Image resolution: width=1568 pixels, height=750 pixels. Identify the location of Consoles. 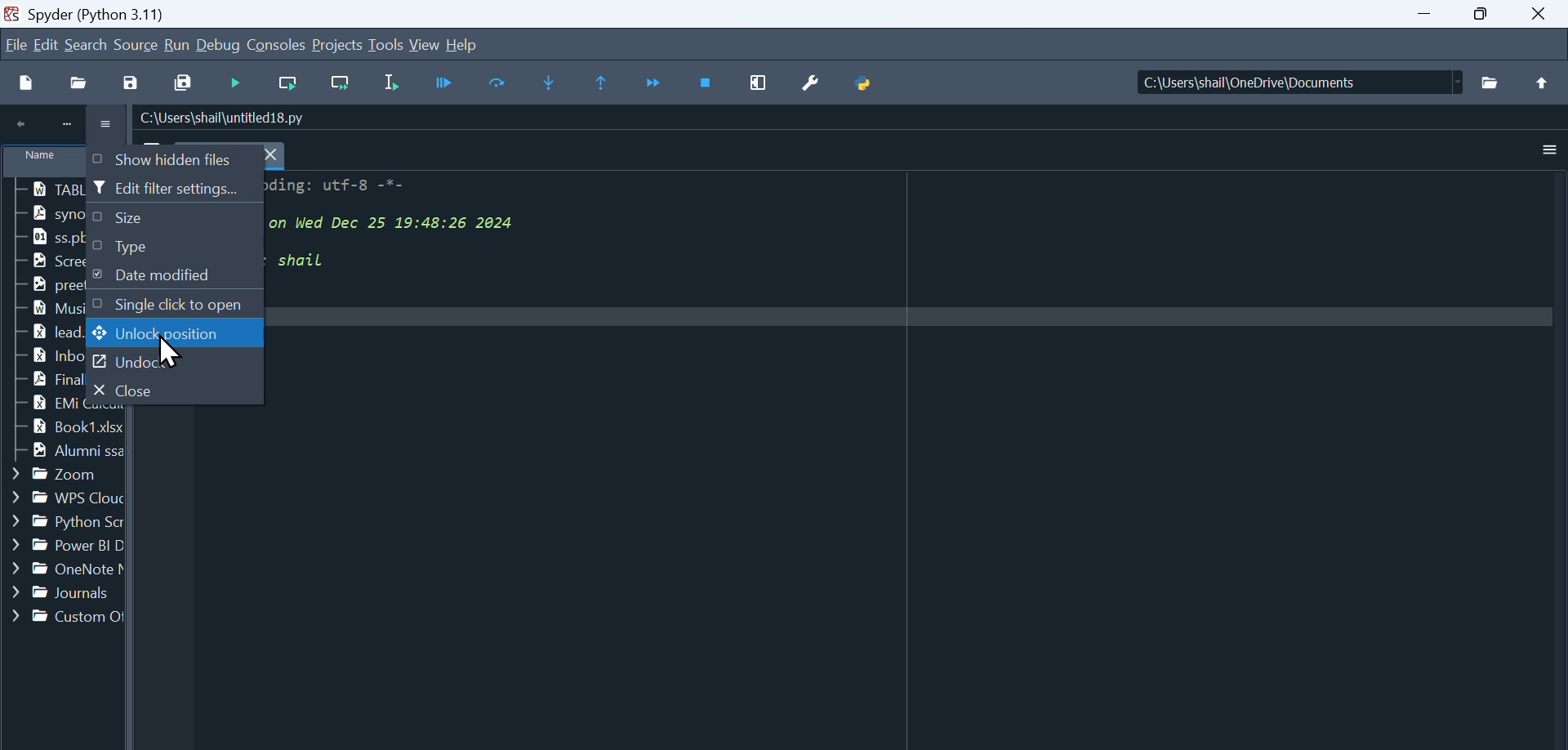
(278, 44).